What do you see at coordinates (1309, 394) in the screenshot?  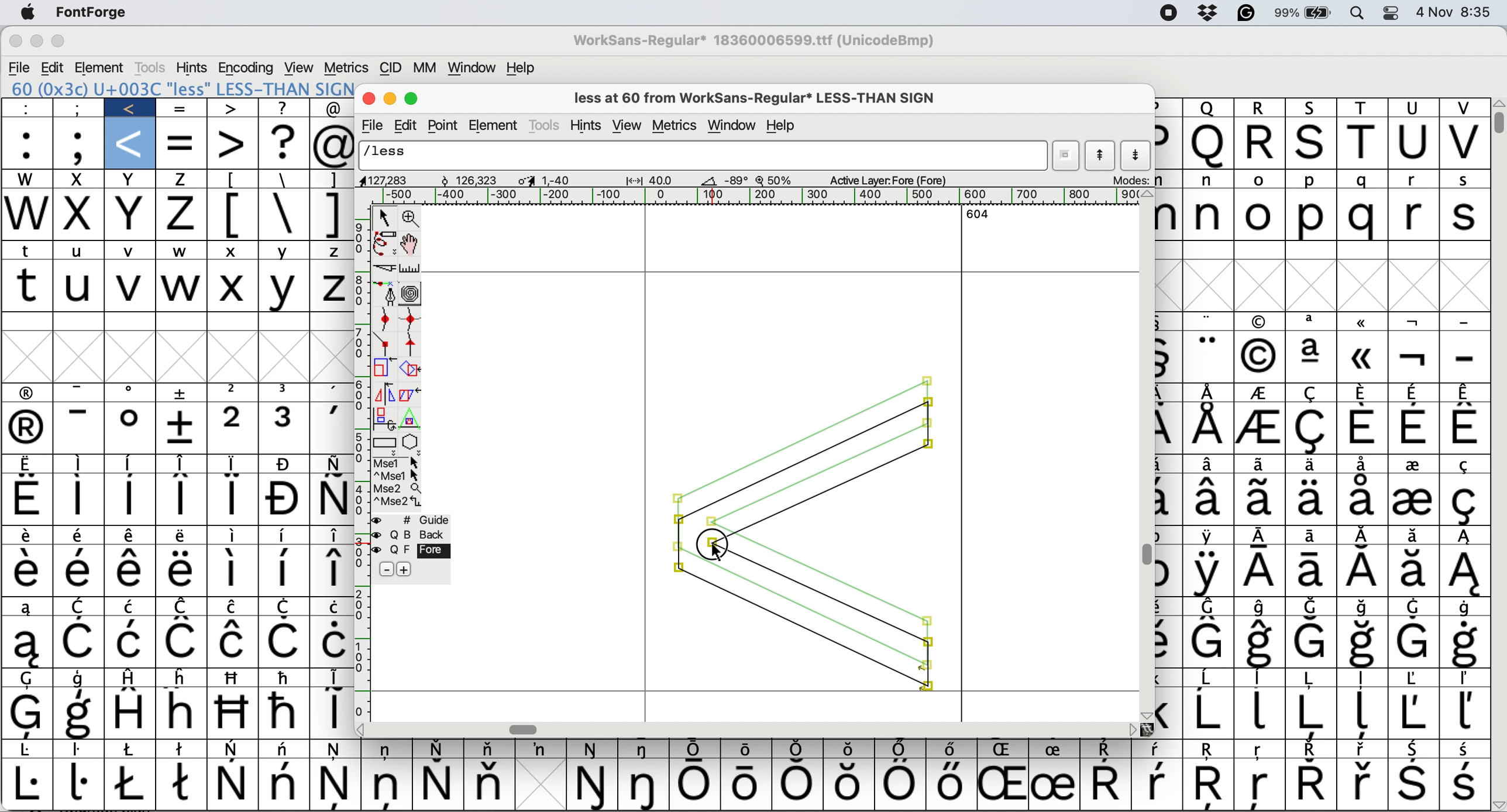 I see `Symbol` at bounding box center [1309, 394].